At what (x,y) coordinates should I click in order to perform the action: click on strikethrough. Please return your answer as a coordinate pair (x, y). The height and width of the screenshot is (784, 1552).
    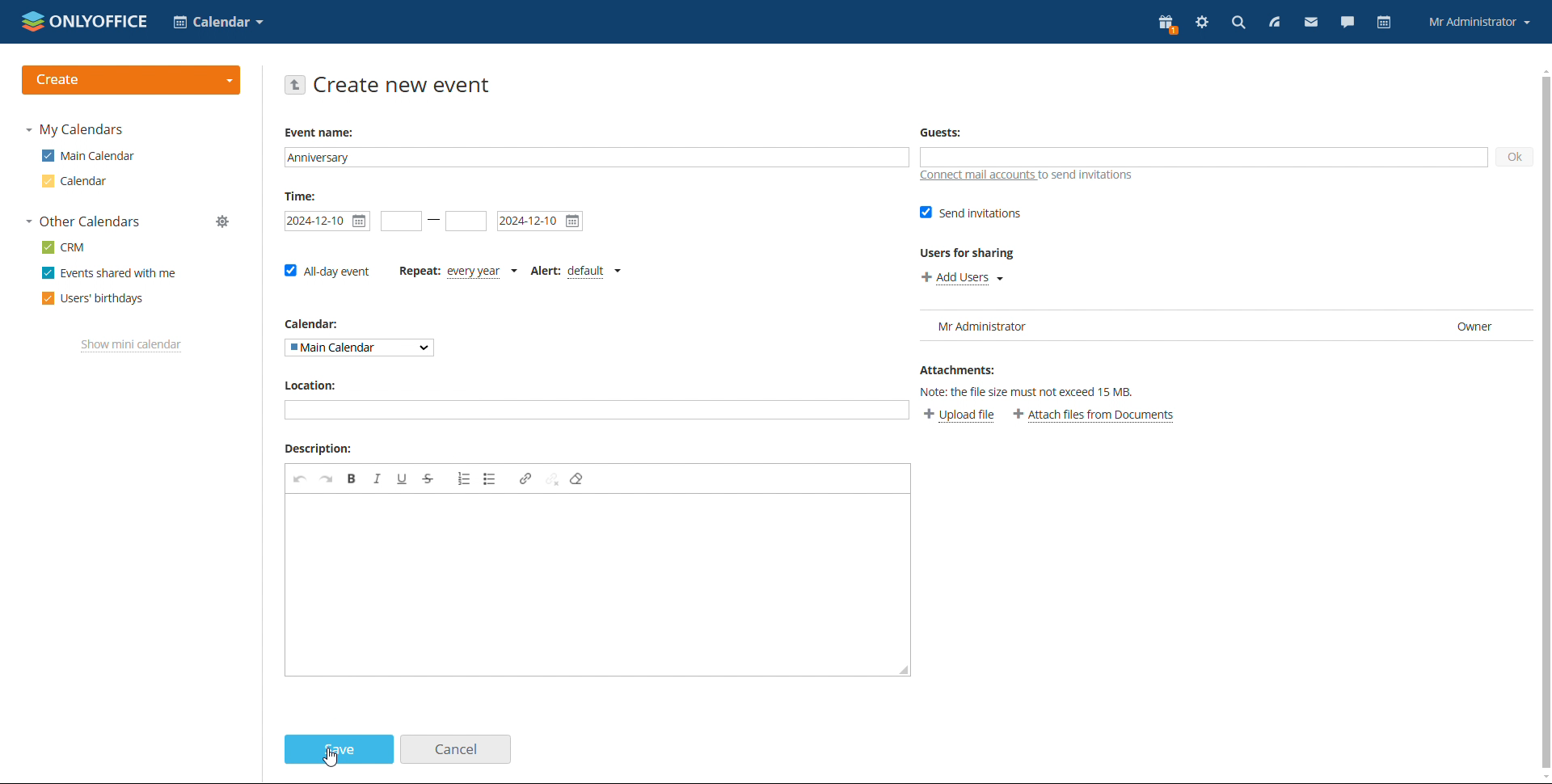
    Looking at the image, I should click on (428, 478).